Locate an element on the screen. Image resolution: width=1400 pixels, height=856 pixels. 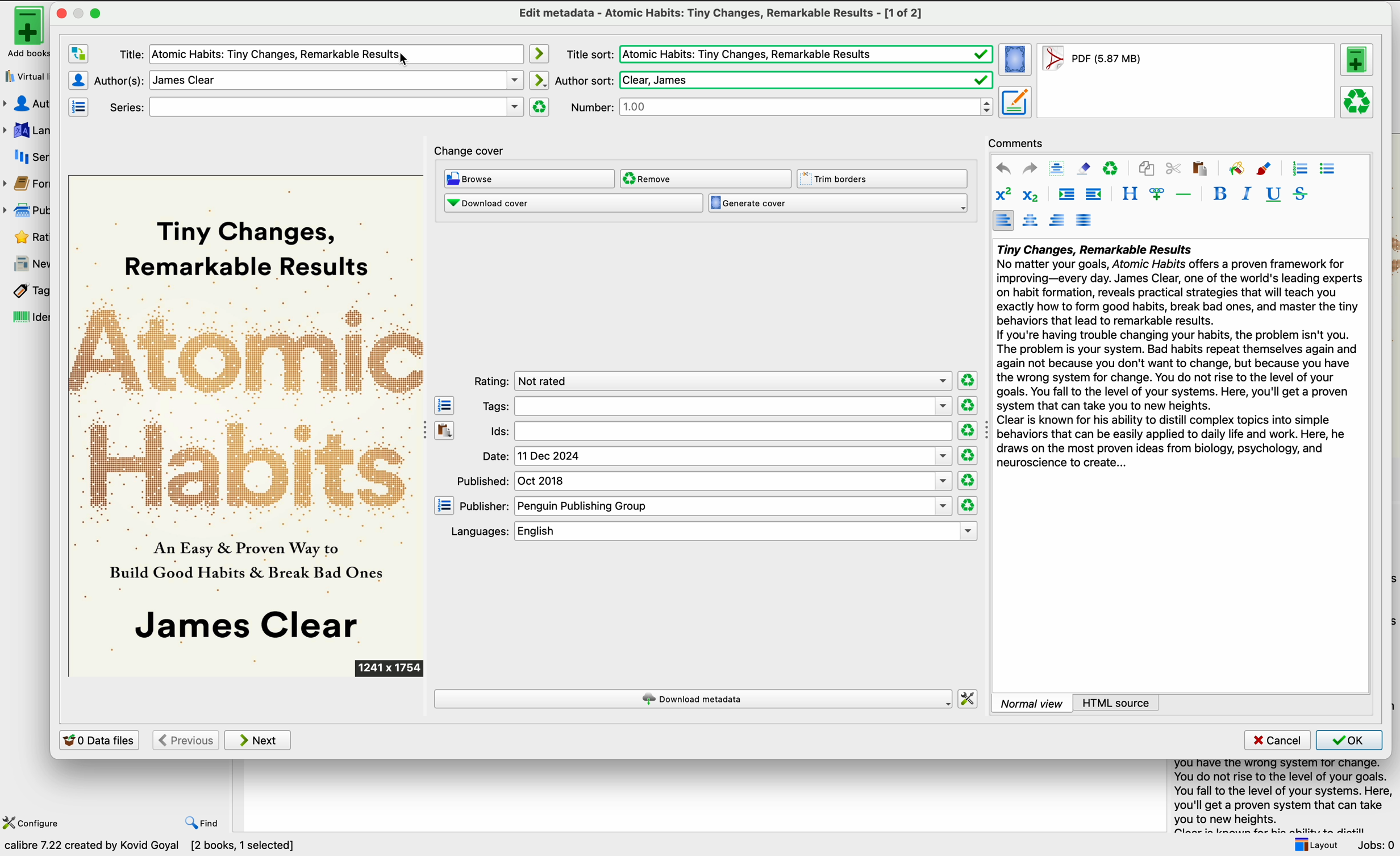
number is located at coordinates (782, 107).